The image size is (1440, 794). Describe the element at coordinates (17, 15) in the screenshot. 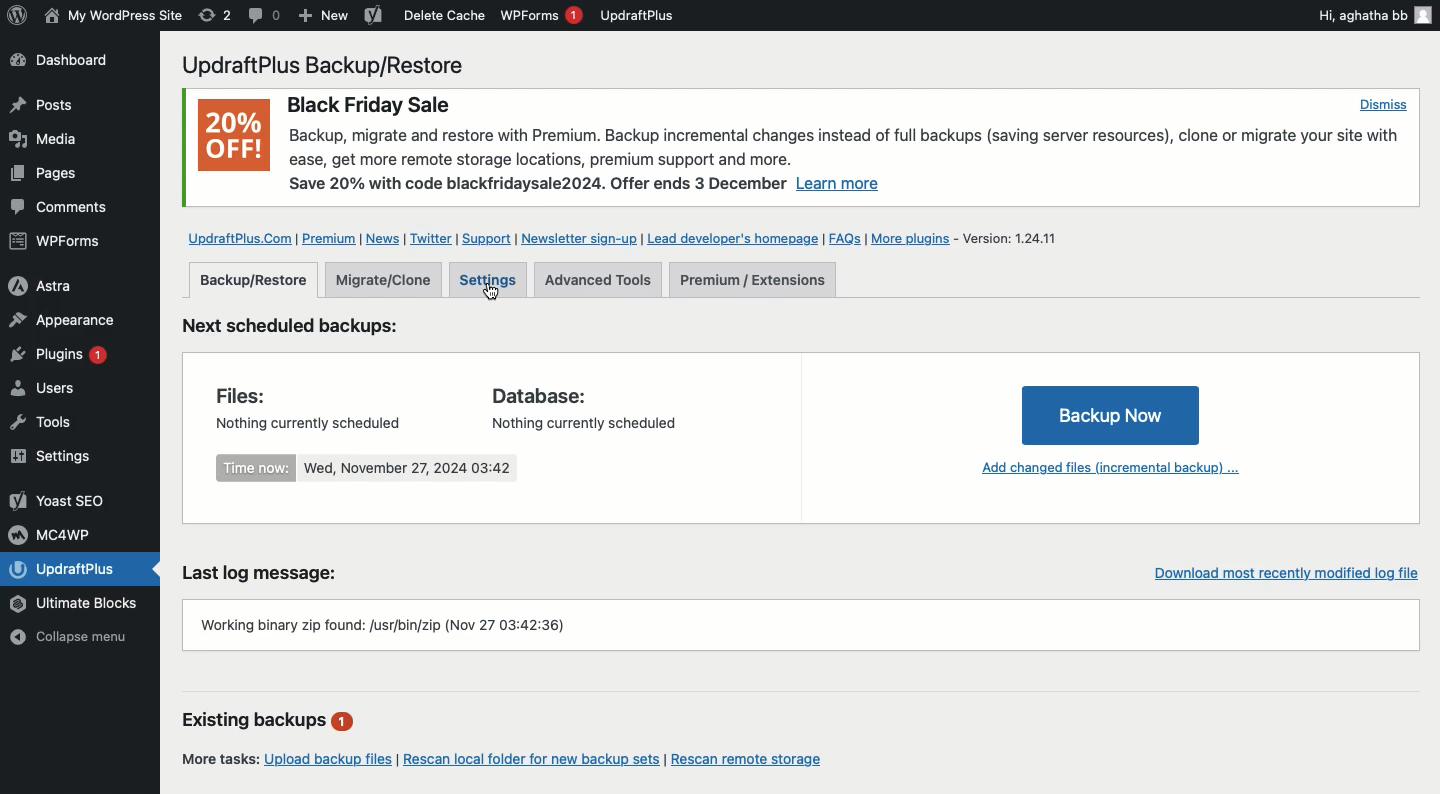

I see `wordpress logo` at that location.